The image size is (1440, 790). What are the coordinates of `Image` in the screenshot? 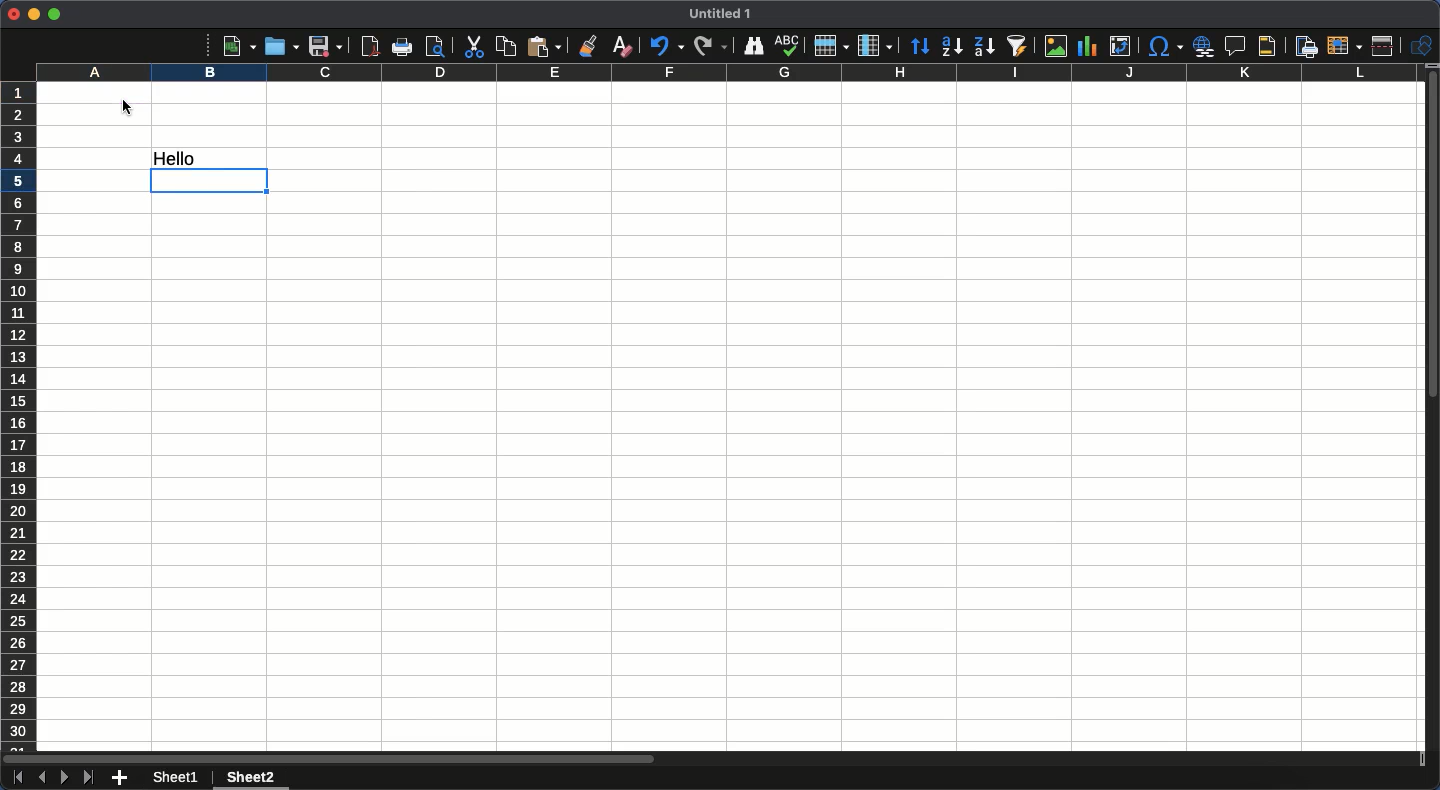 It's located at (1051, 46).